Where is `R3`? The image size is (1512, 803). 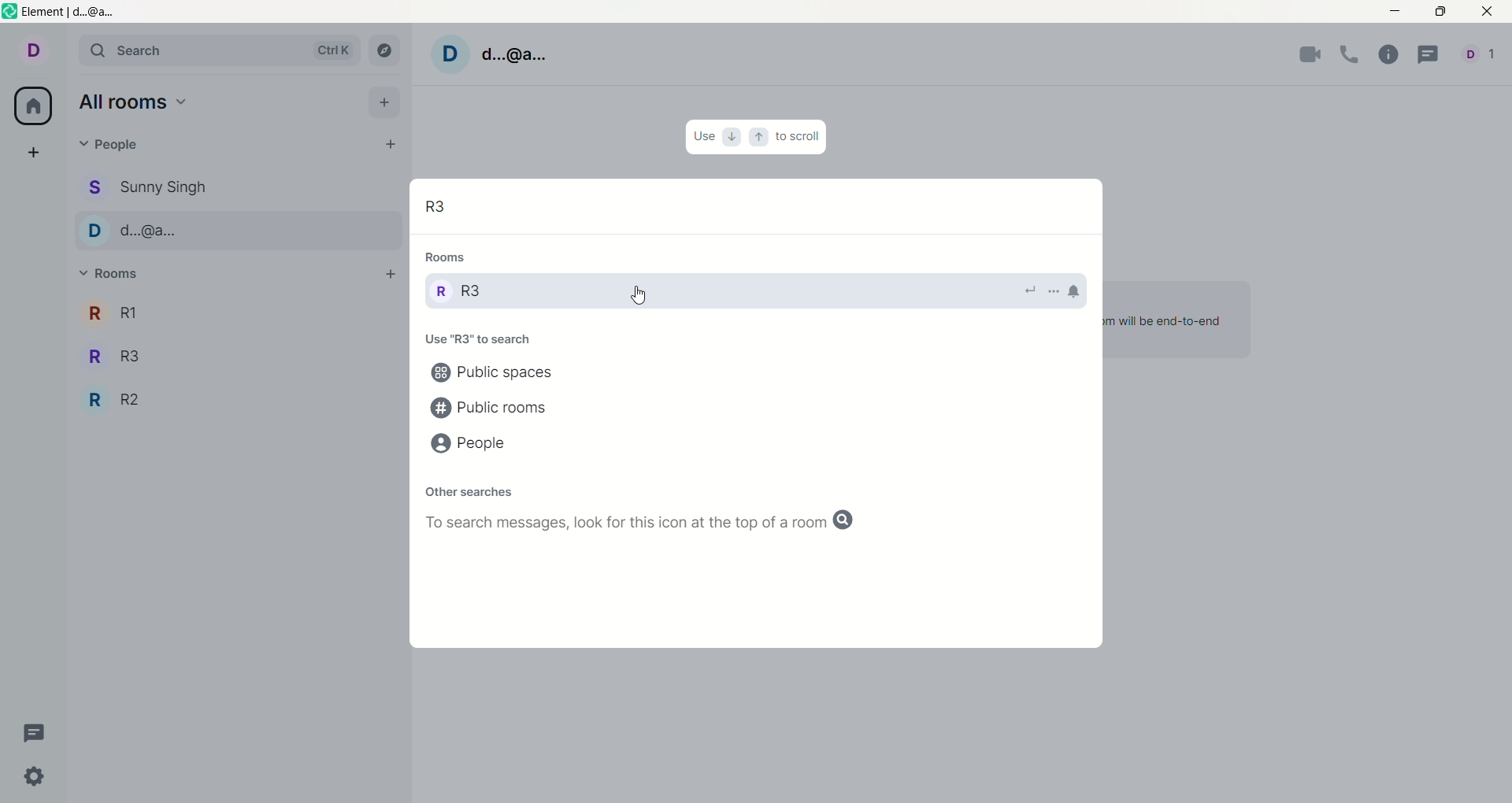 R3 is located at coordinates (112, 354).